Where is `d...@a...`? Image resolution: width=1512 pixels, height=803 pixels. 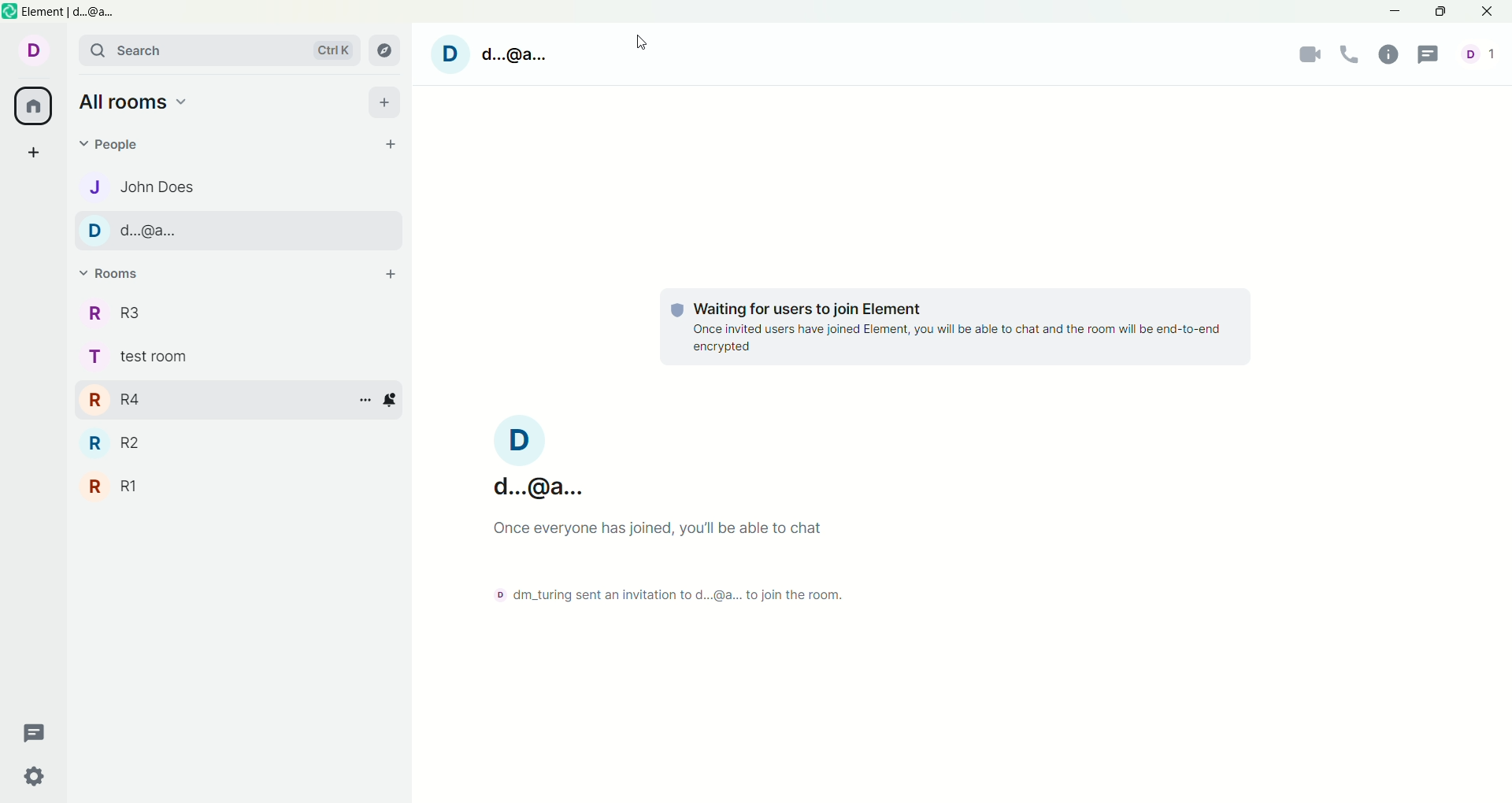 d...@a... is located at coordinates (513, 55).